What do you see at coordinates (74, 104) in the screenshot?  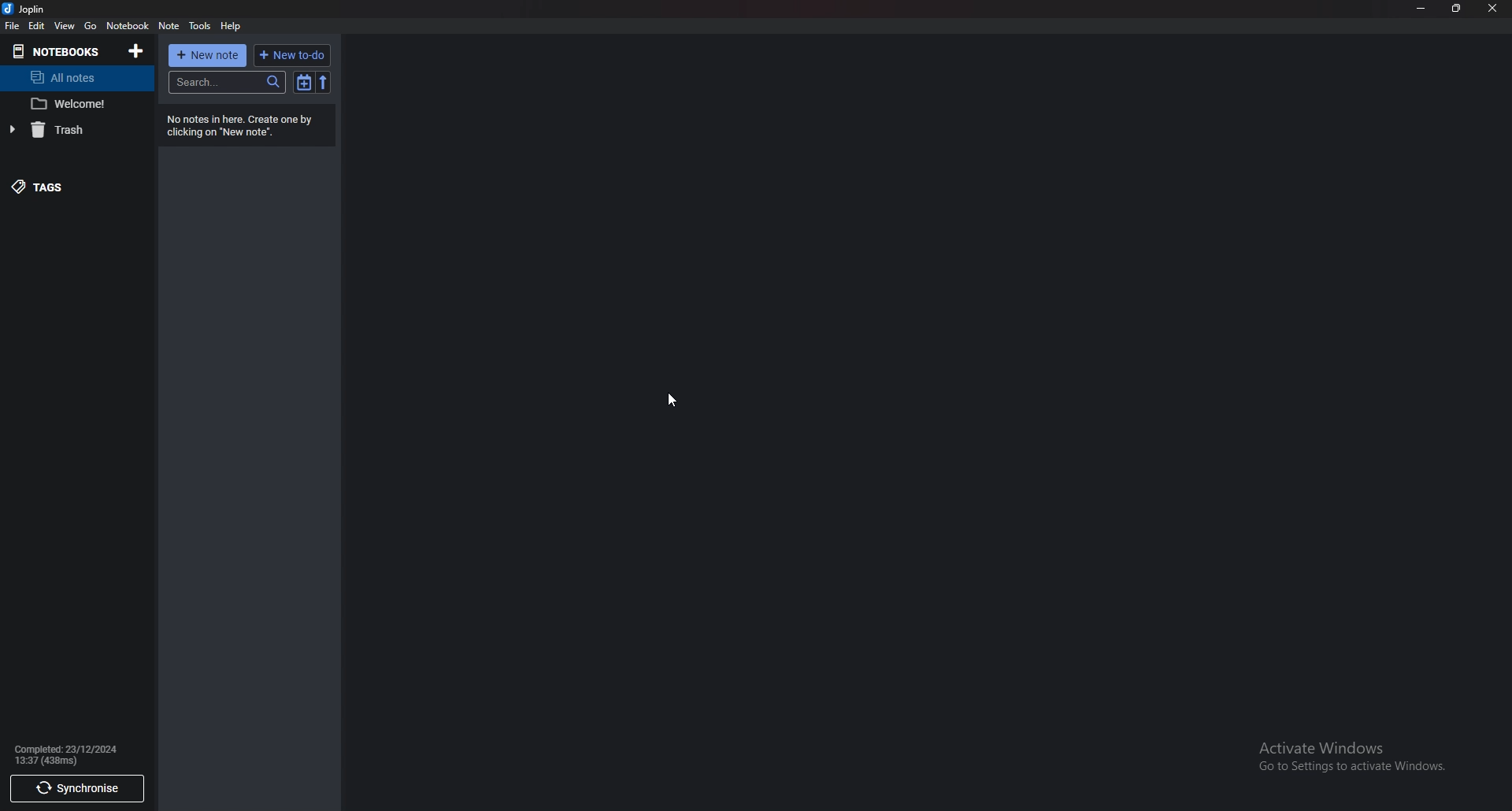 I see `Welcome` at bounding box center [74, 104].